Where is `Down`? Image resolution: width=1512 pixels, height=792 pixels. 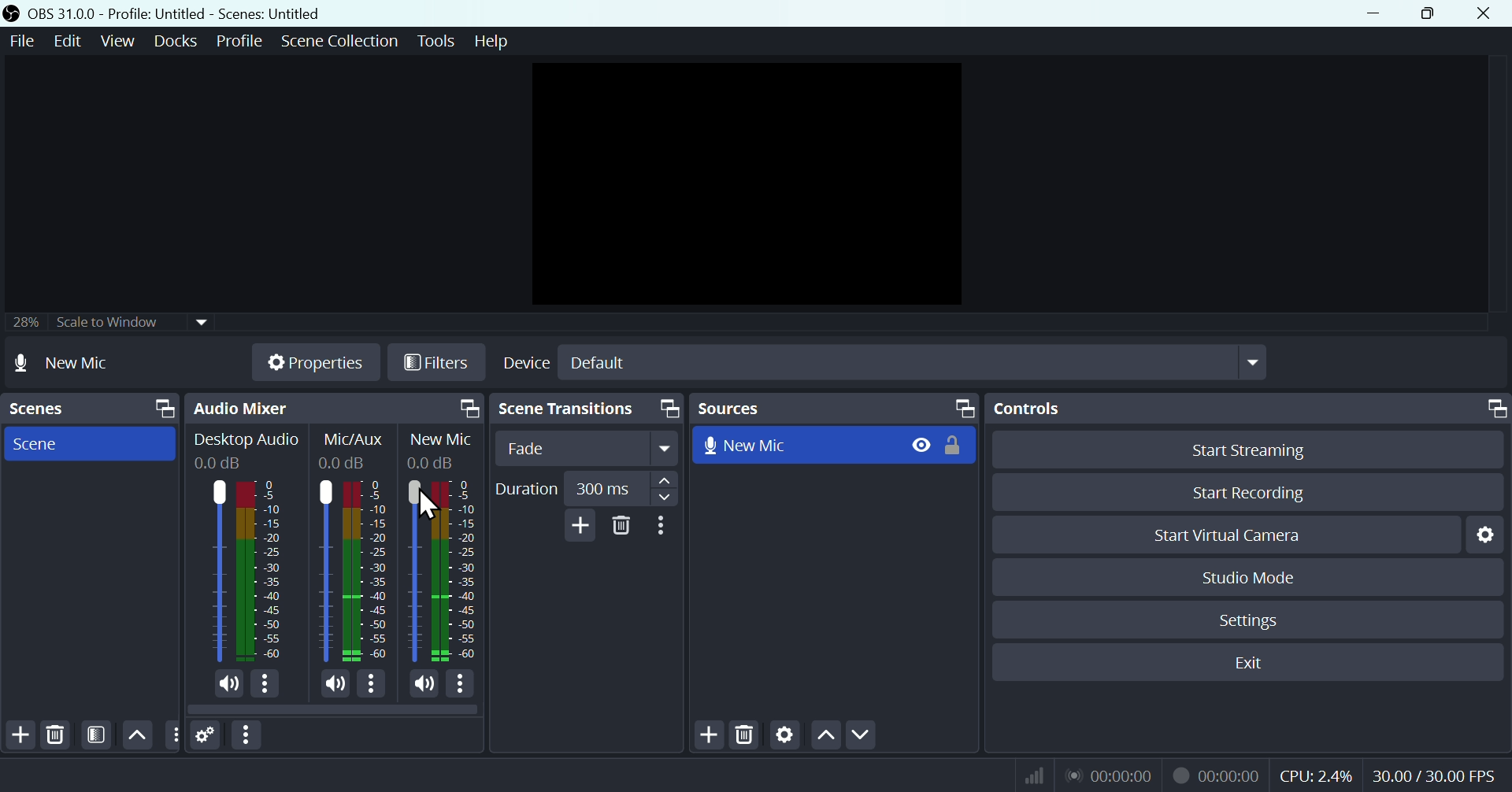 Down is located at coordinates (861, 736).